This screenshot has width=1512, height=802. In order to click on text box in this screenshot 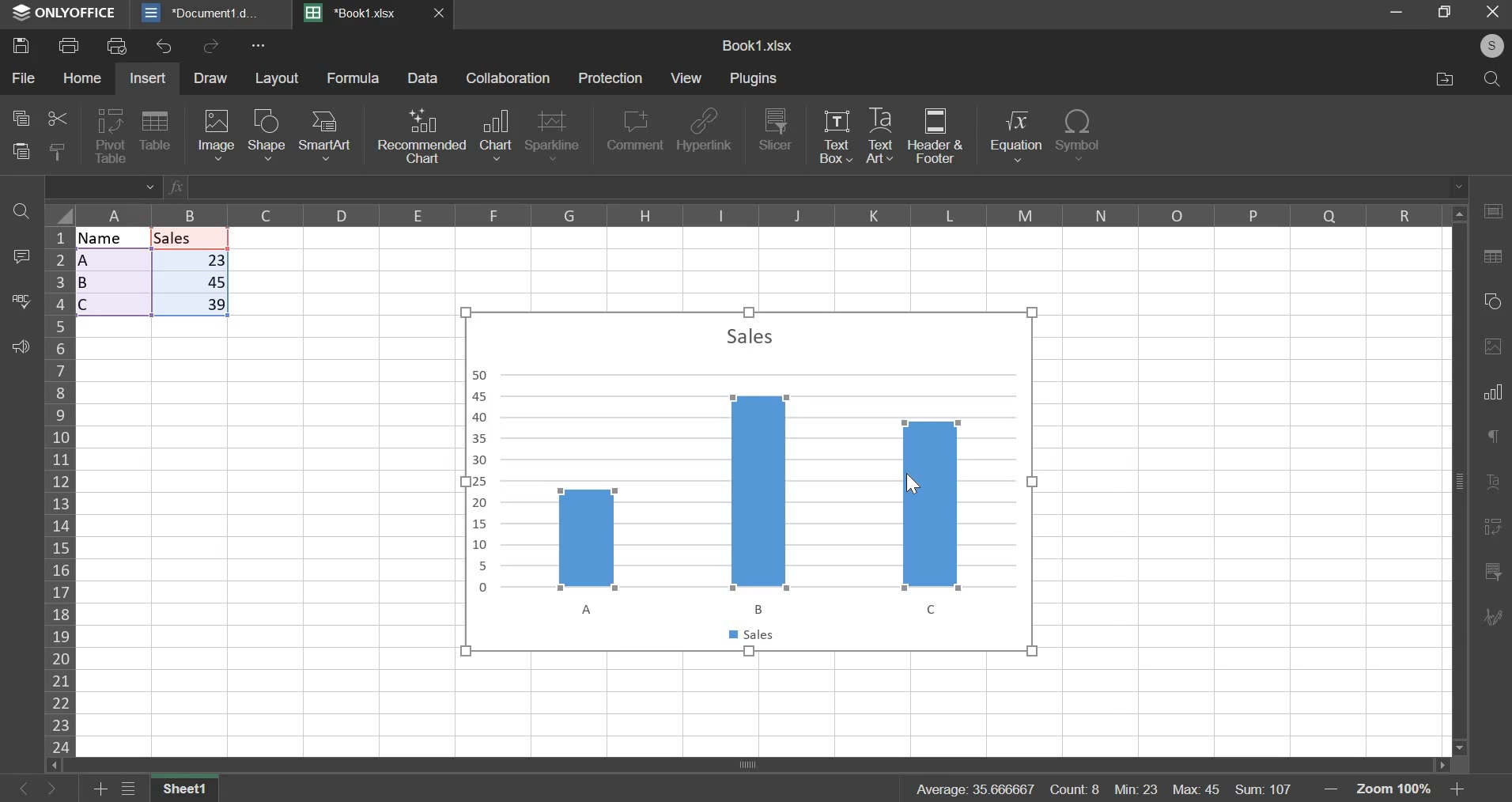, I will do `click(834, 138)`.